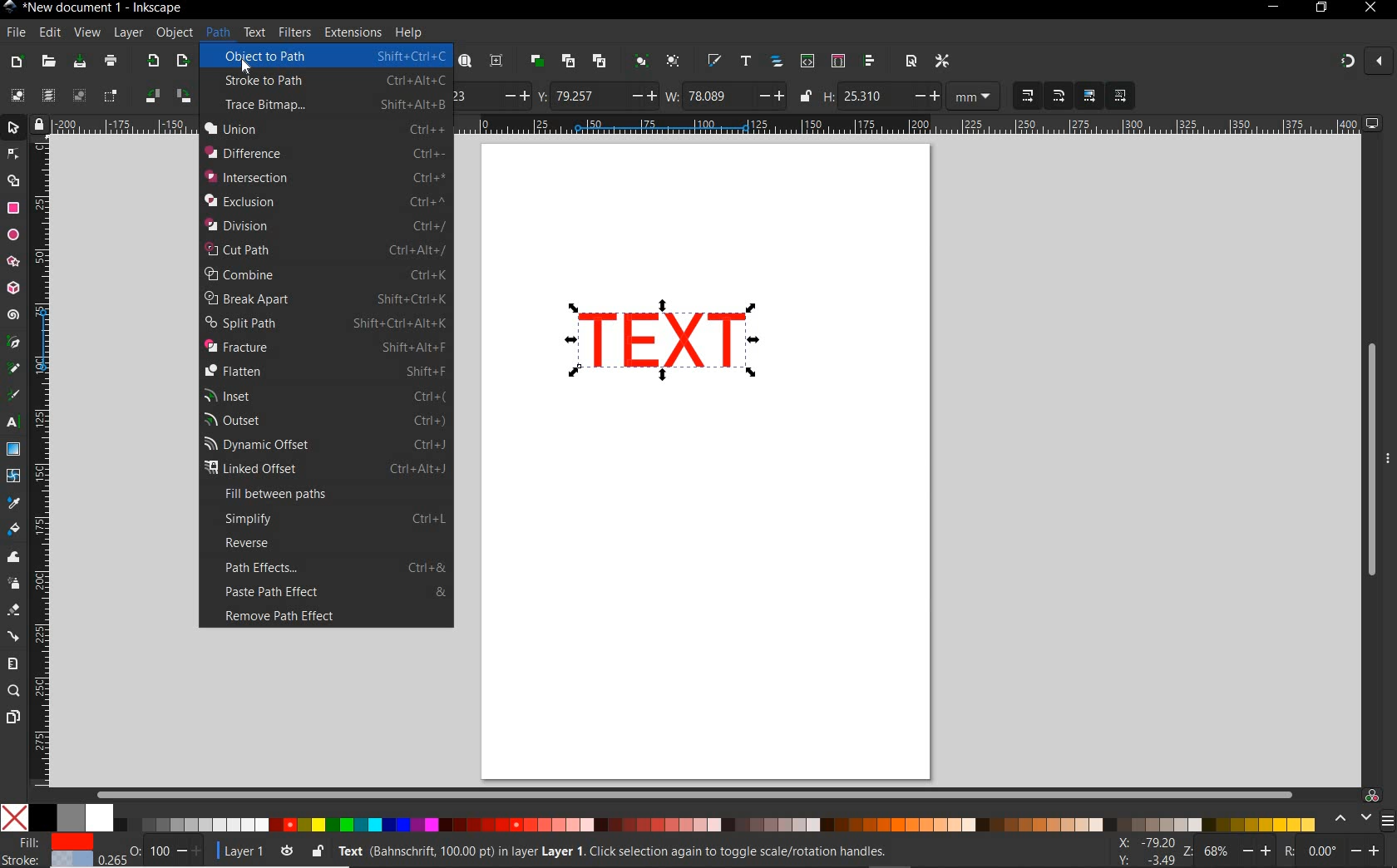  What do you see at coordinates (15, 610) in the screenshot?
I see `ERASER TOOL` at bounding box center [15, 610].